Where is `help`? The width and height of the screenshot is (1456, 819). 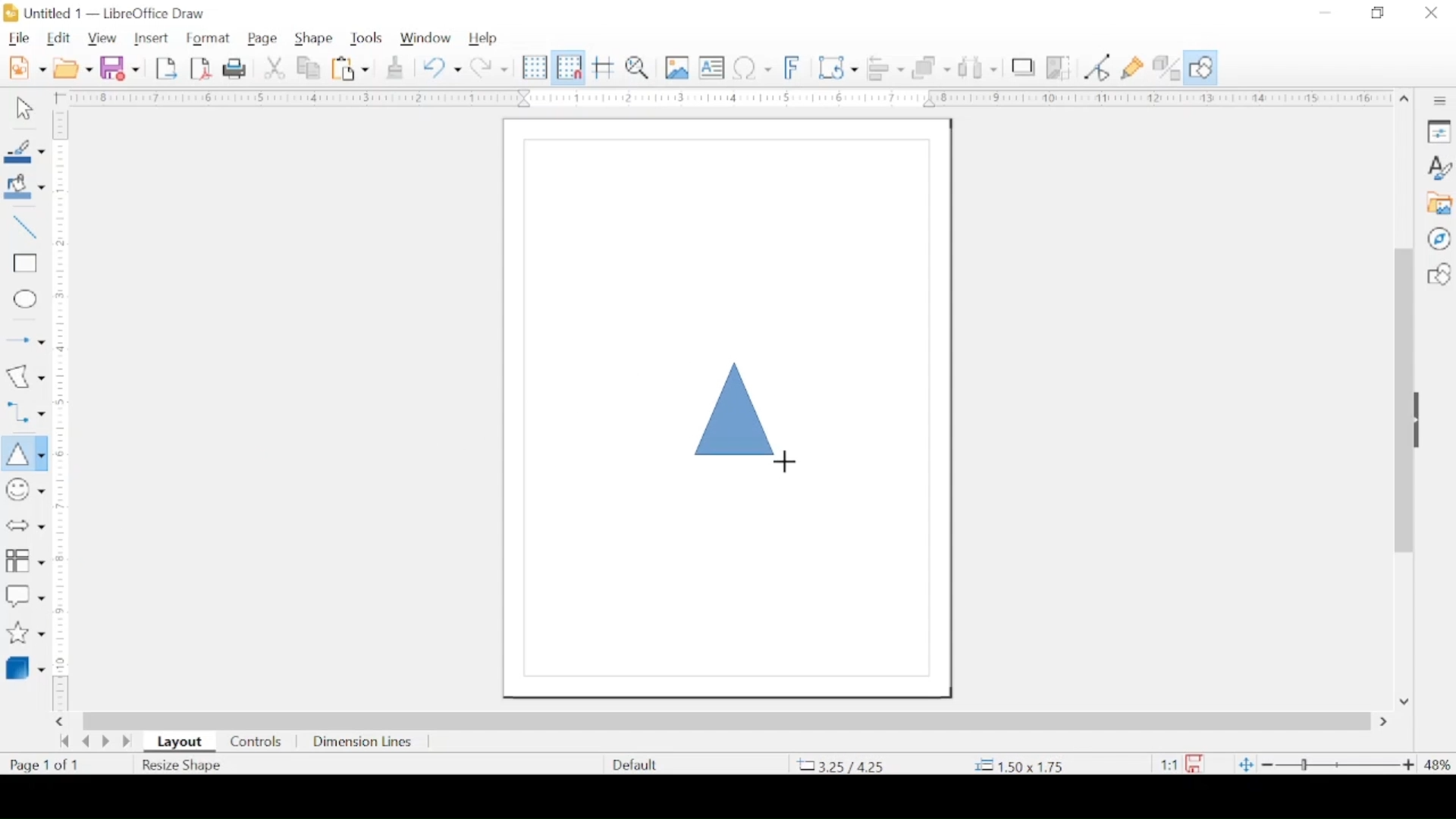
help is located at coordinates (485, 39).